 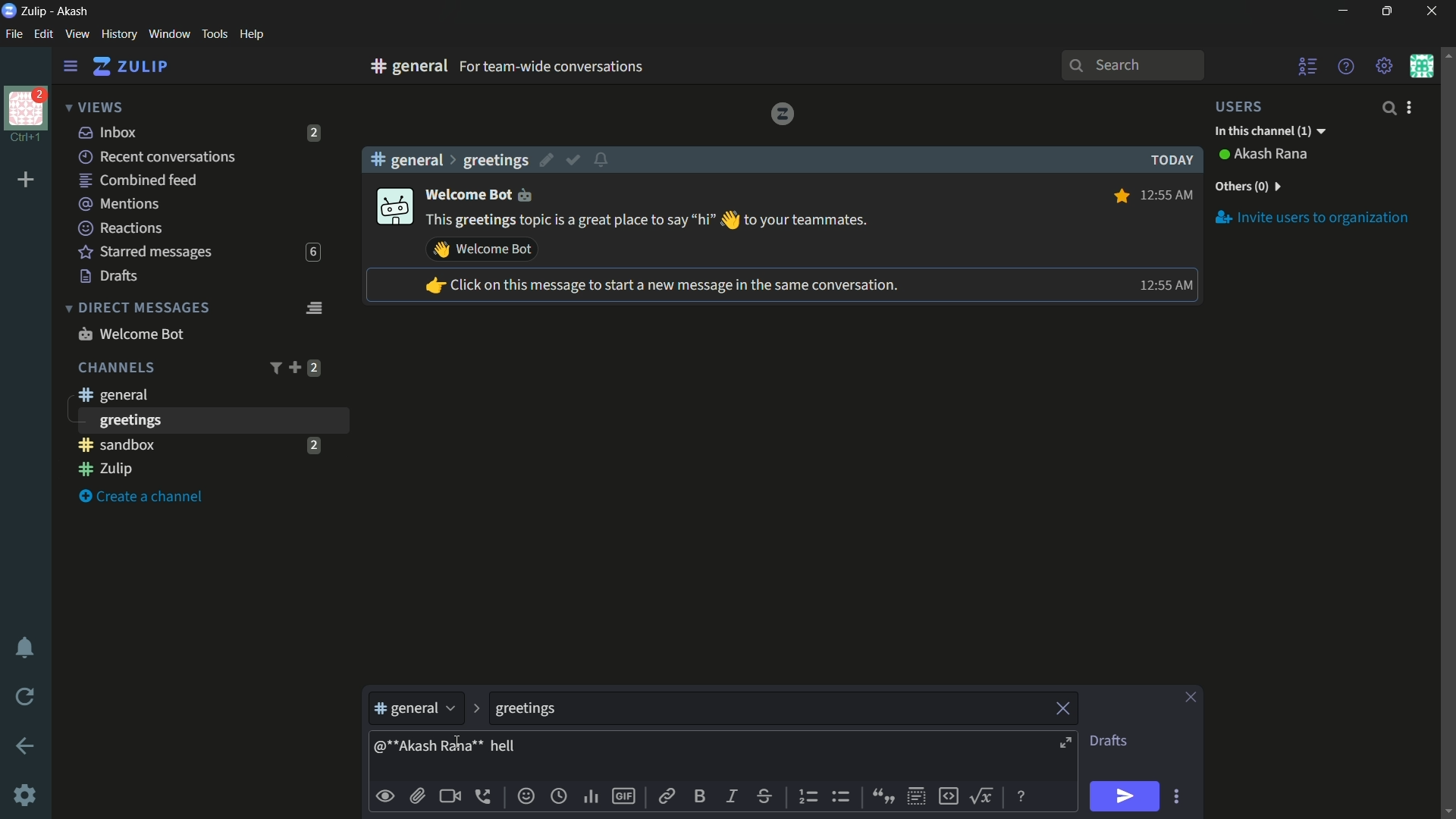 I want to click on filter channels, so click(x=274, y=368).